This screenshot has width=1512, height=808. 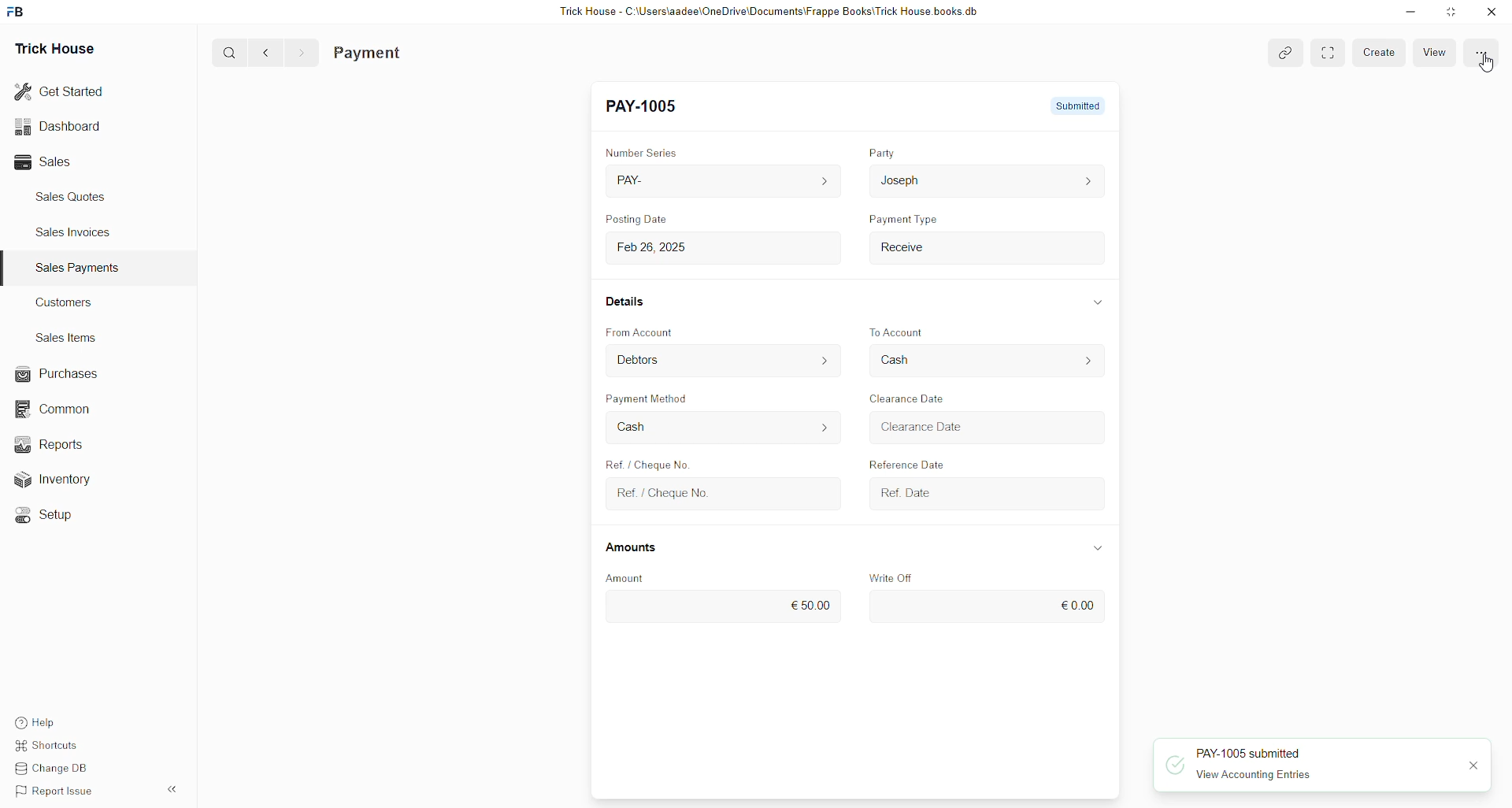 I want to click on View Accounting Entries, so click(x=1249, y=775).